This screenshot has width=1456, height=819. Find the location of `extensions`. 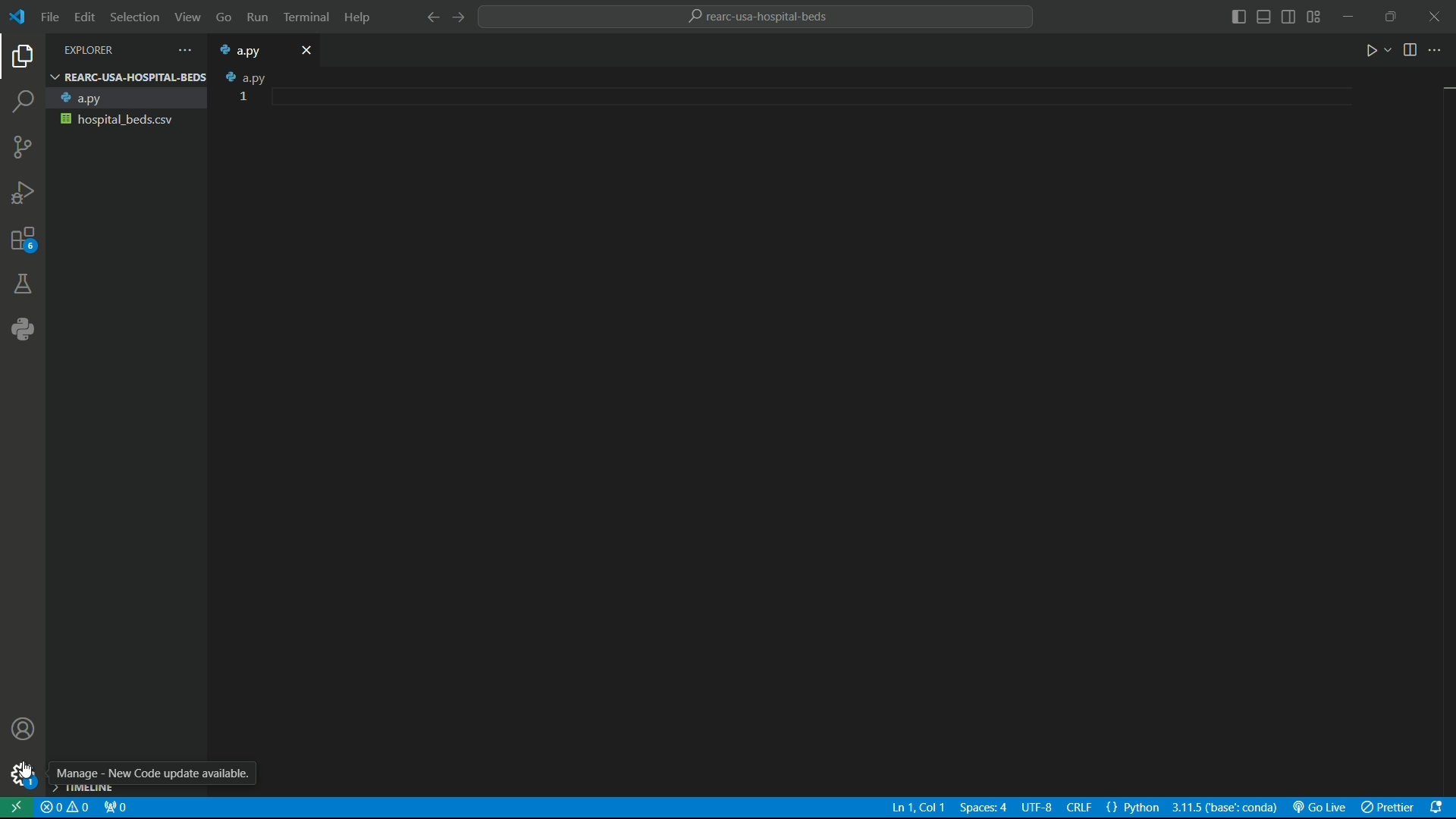

extensions is located at coordinates (22, 243).